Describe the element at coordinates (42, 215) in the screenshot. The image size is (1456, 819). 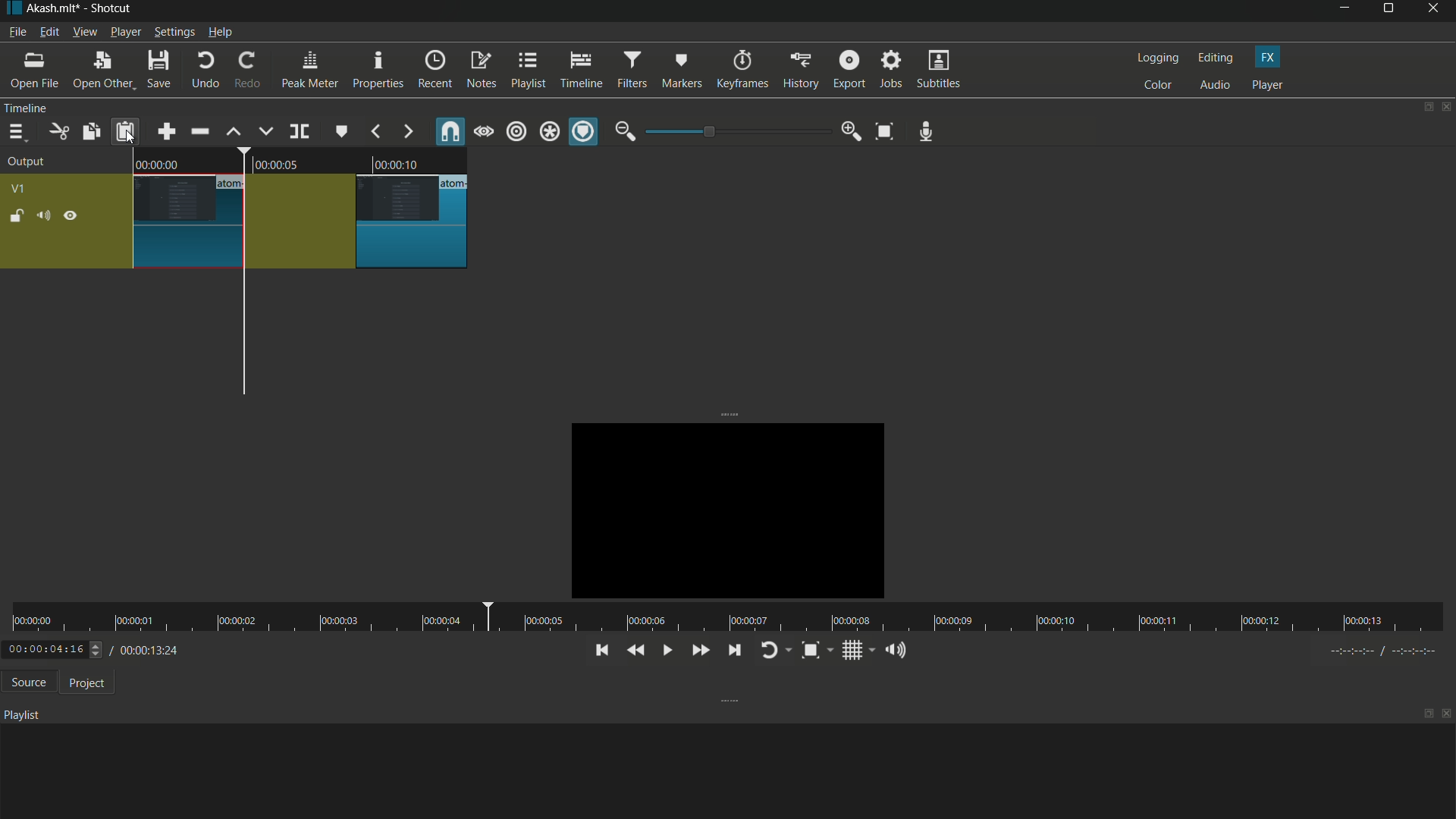
I see `mute` at that location.